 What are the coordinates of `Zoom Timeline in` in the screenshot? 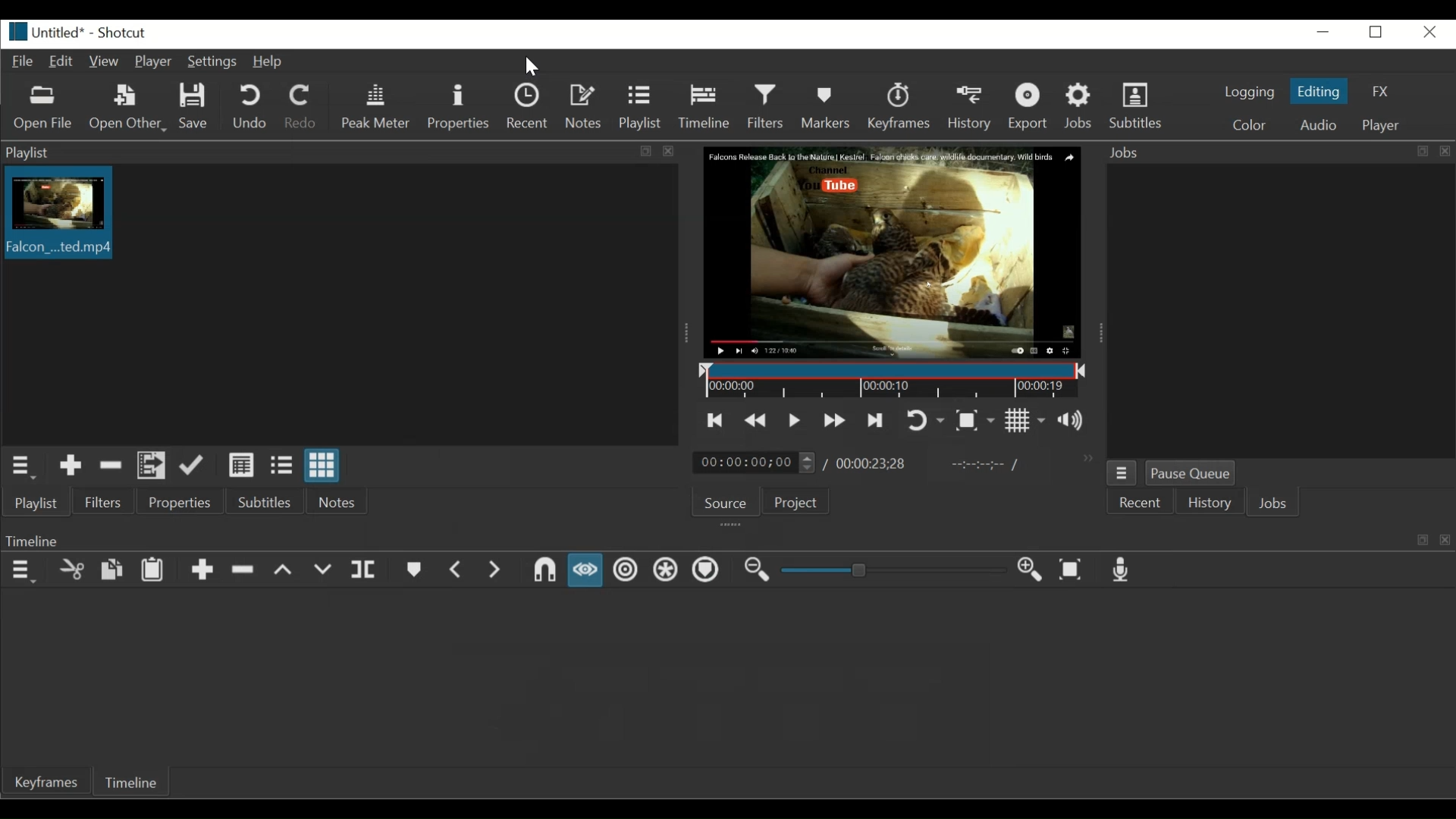 It's located at (1030, 570).